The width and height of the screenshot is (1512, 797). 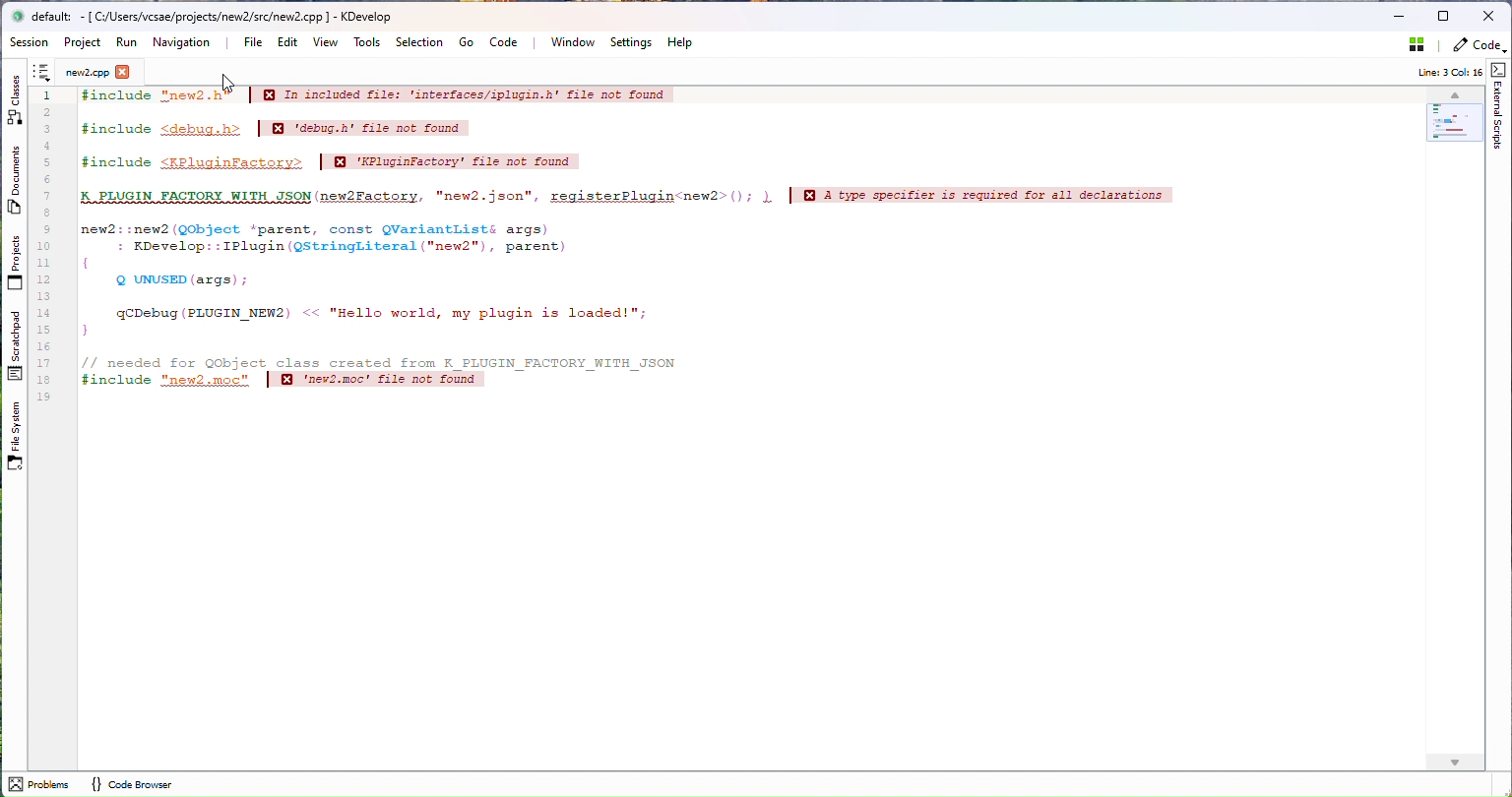 I want to click on cursor, so click(x=226, y=80).